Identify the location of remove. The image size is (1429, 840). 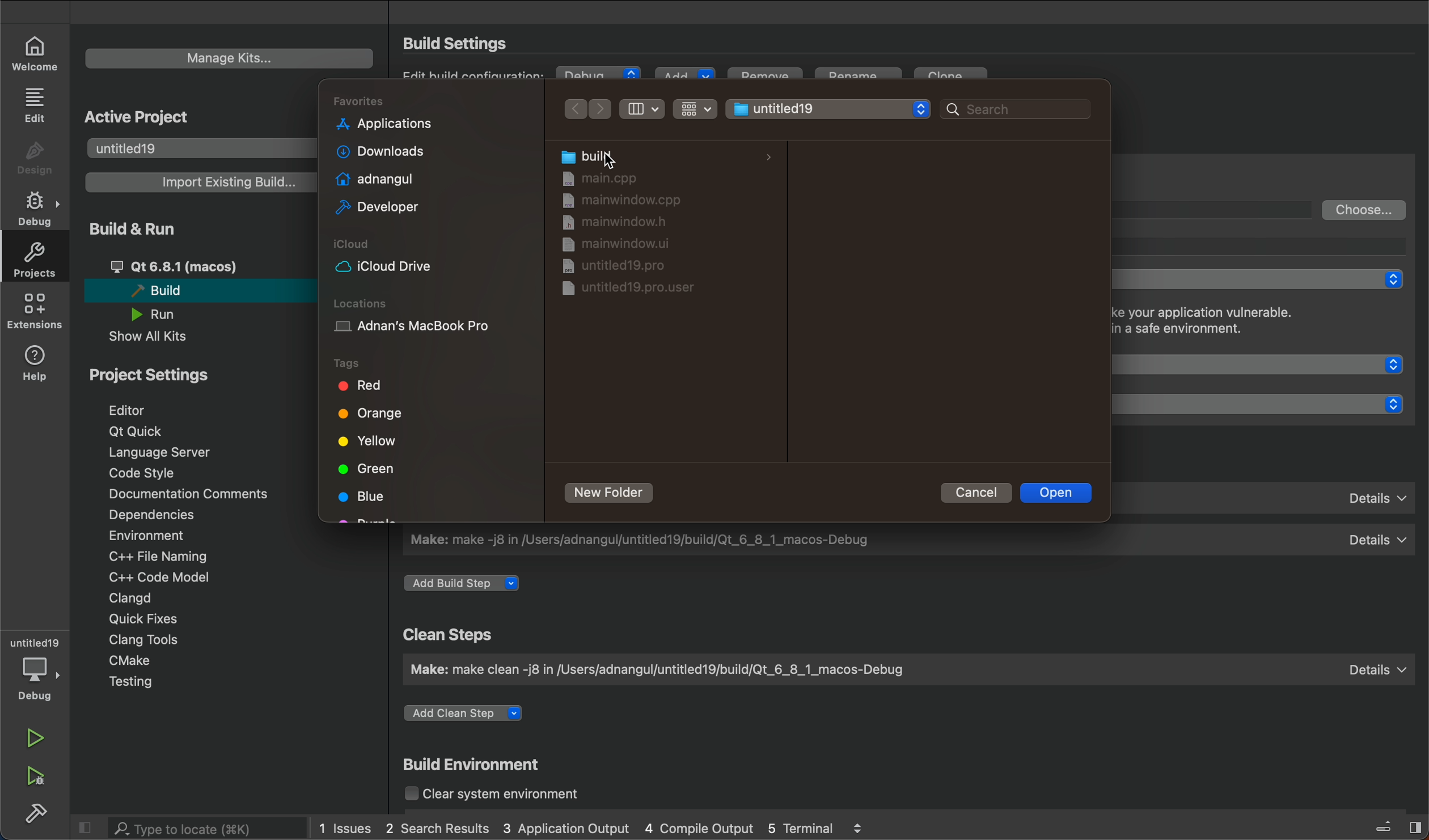
(764, 79).